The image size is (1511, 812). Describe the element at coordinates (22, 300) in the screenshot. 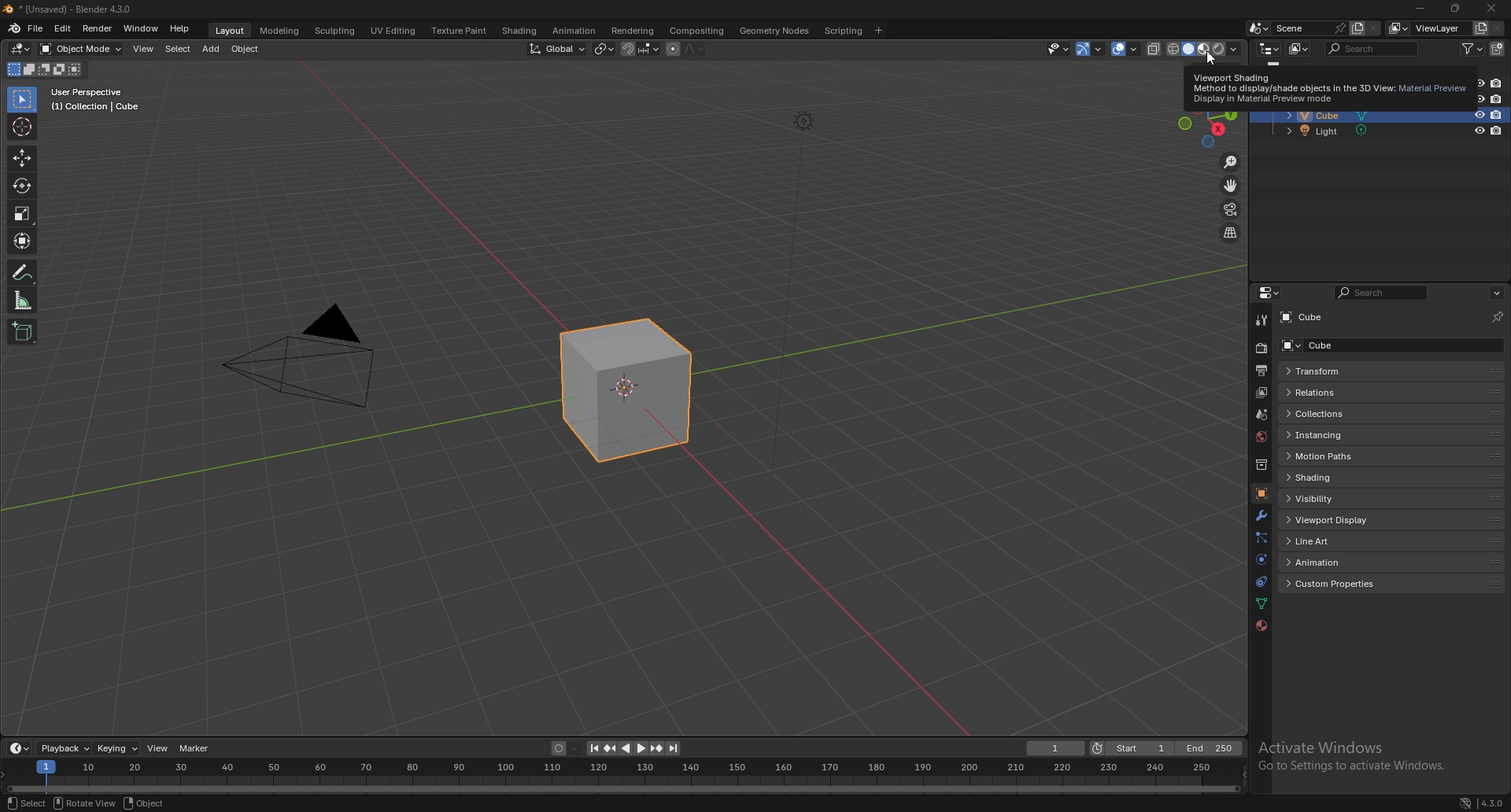

I see `measure` at that location.